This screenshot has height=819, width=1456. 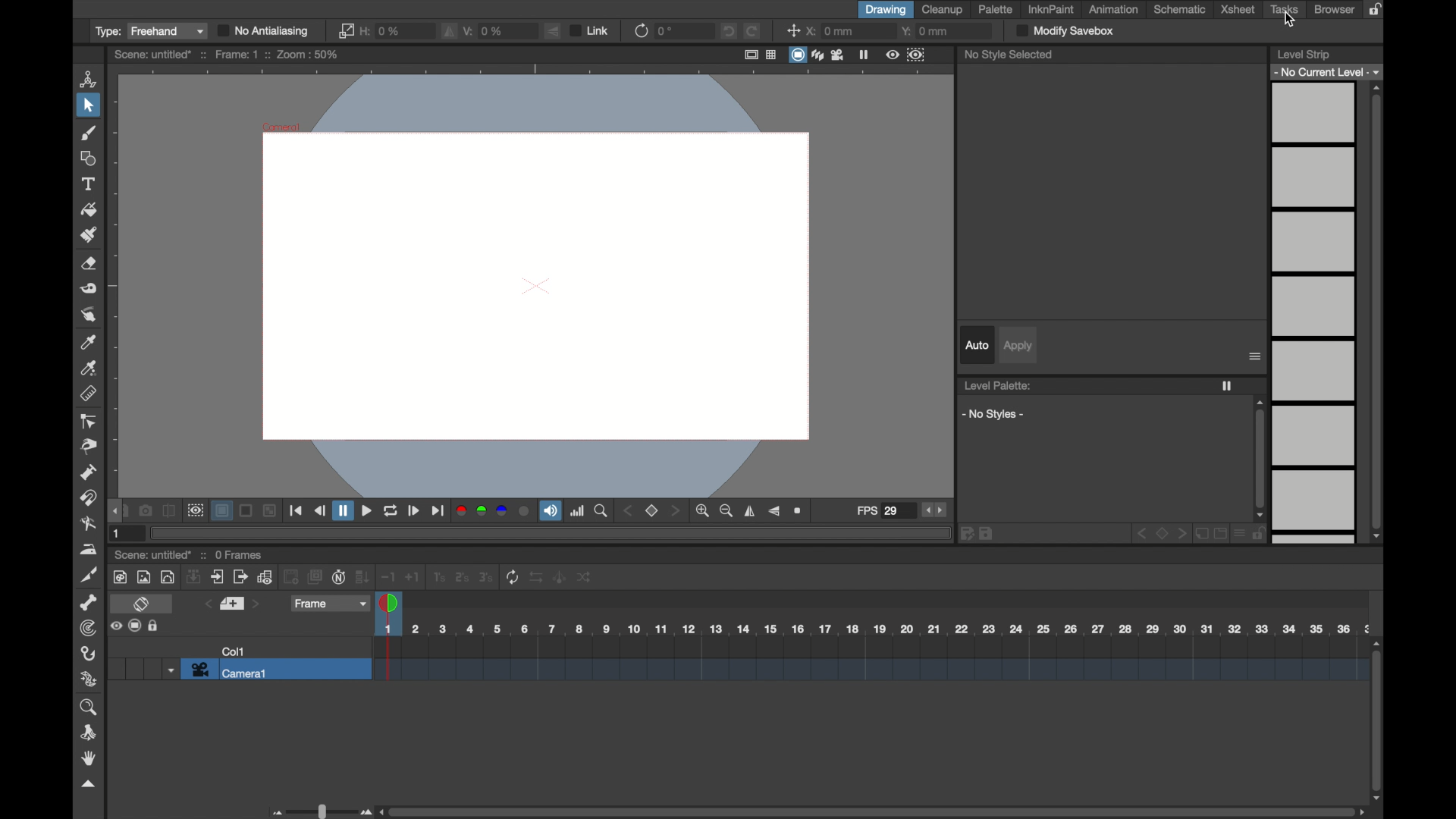 What do you see at coordinates (88, 209) in the screenshot?
I see `fill tool` at bounding box center [88, 209].